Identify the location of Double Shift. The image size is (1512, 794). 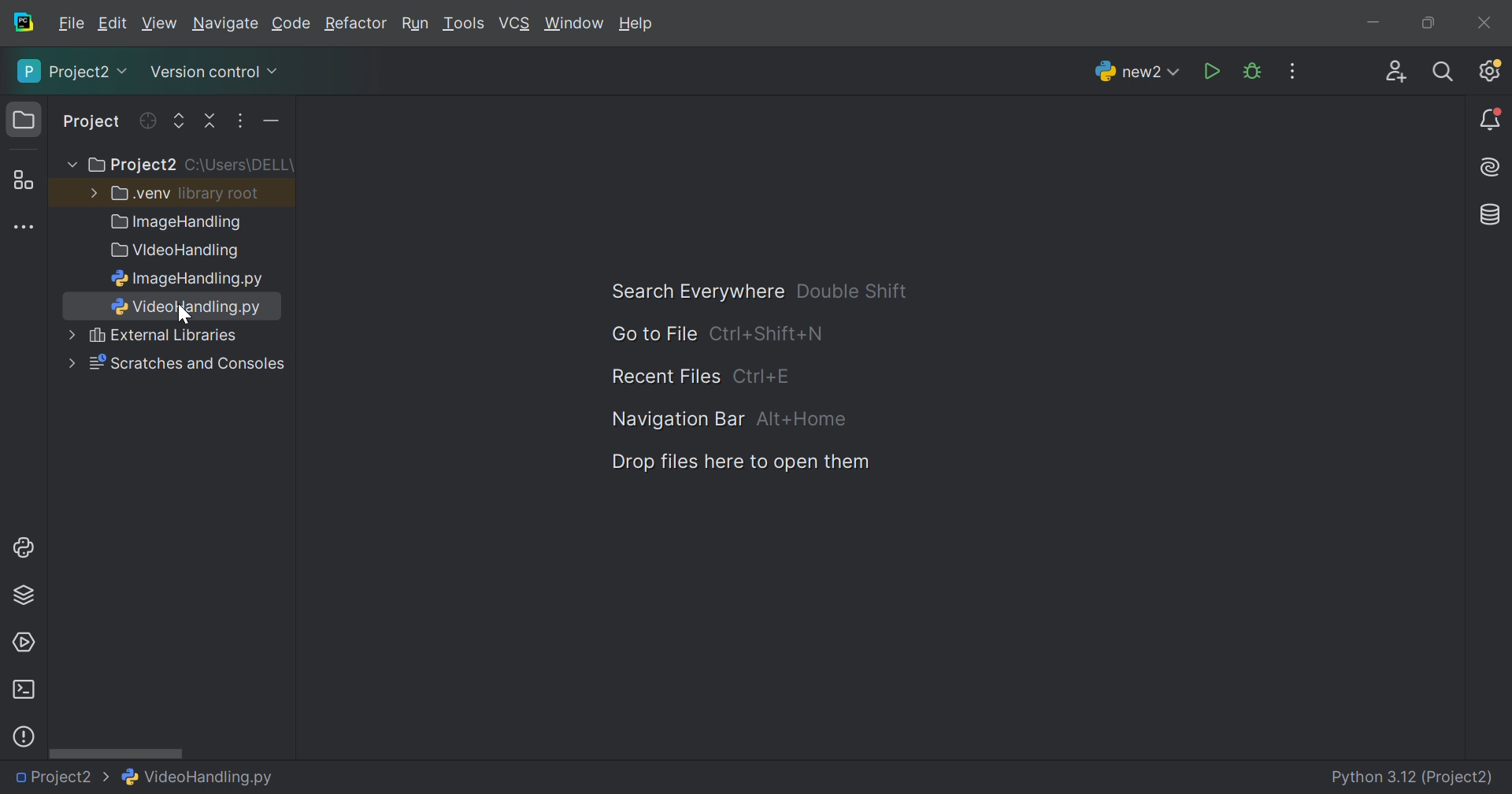
(851, 291).